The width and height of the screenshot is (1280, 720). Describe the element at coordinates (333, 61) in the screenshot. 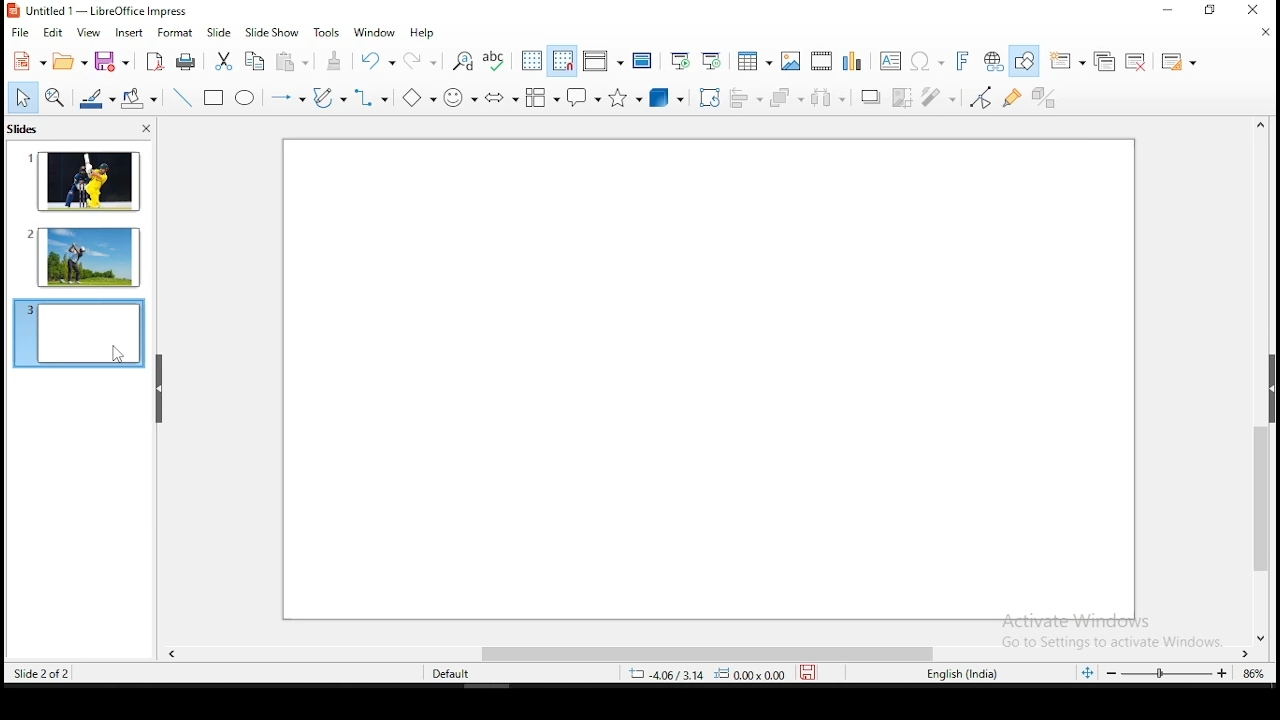

I see `clone formatting` at that location.